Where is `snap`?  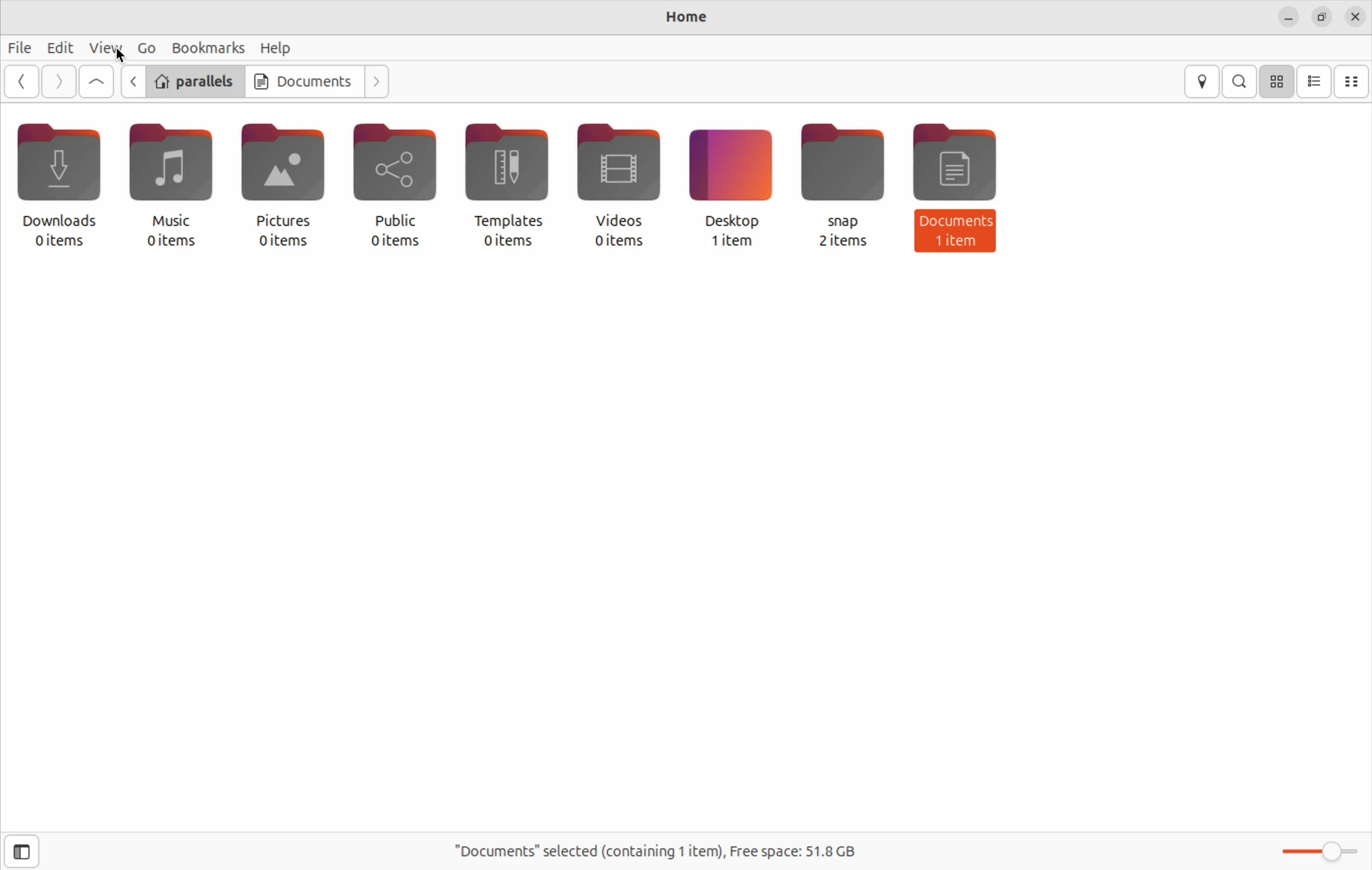
snap is located at coordinates (844, 170).